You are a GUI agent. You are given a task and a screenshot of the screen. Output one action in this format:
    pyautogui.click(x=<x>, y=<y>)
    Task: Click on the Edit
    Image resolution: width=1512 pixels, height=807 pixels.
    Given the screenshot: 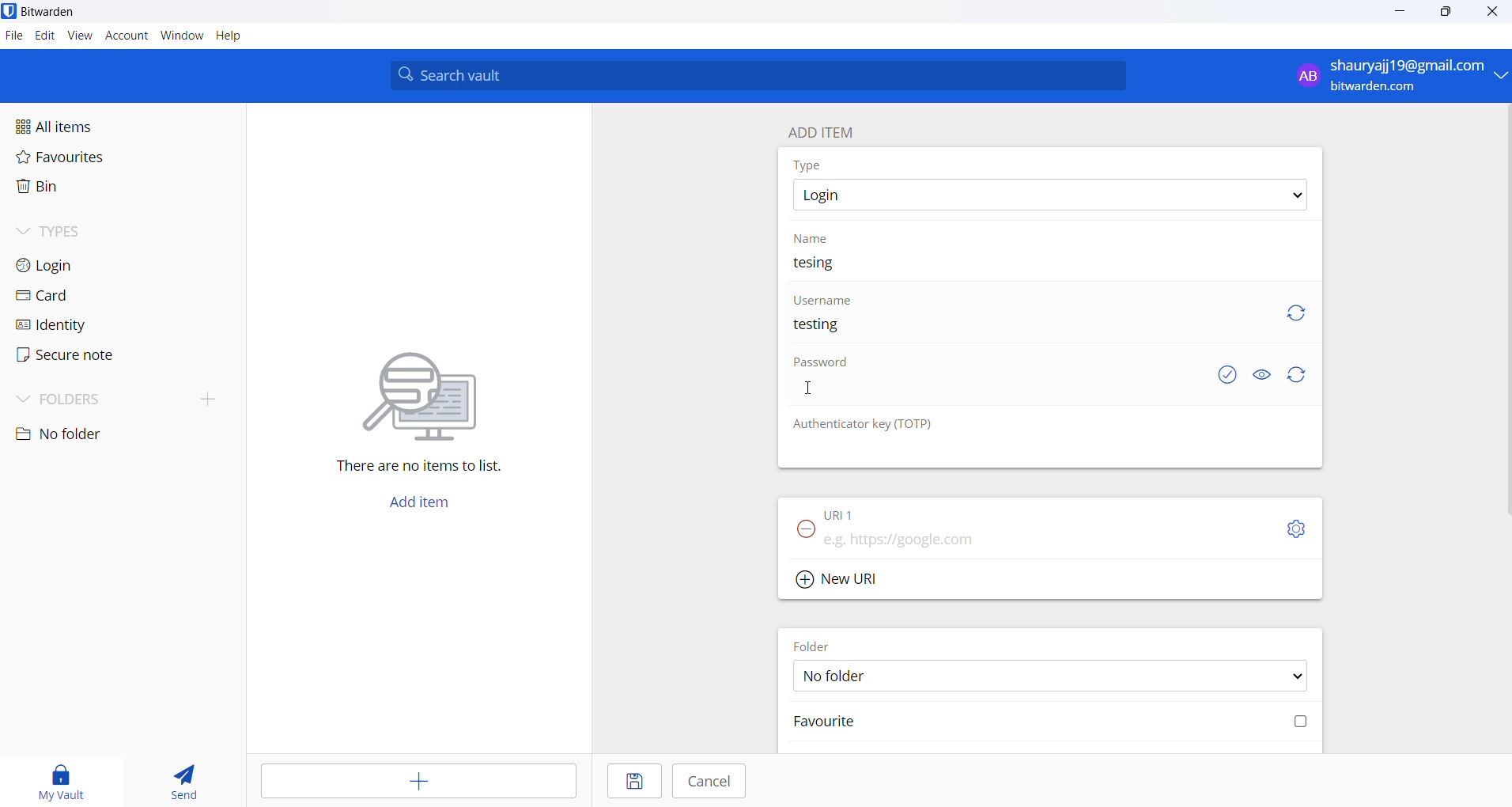 What is the action you would take?
    pyautogui.click(x=44, y=36)
    